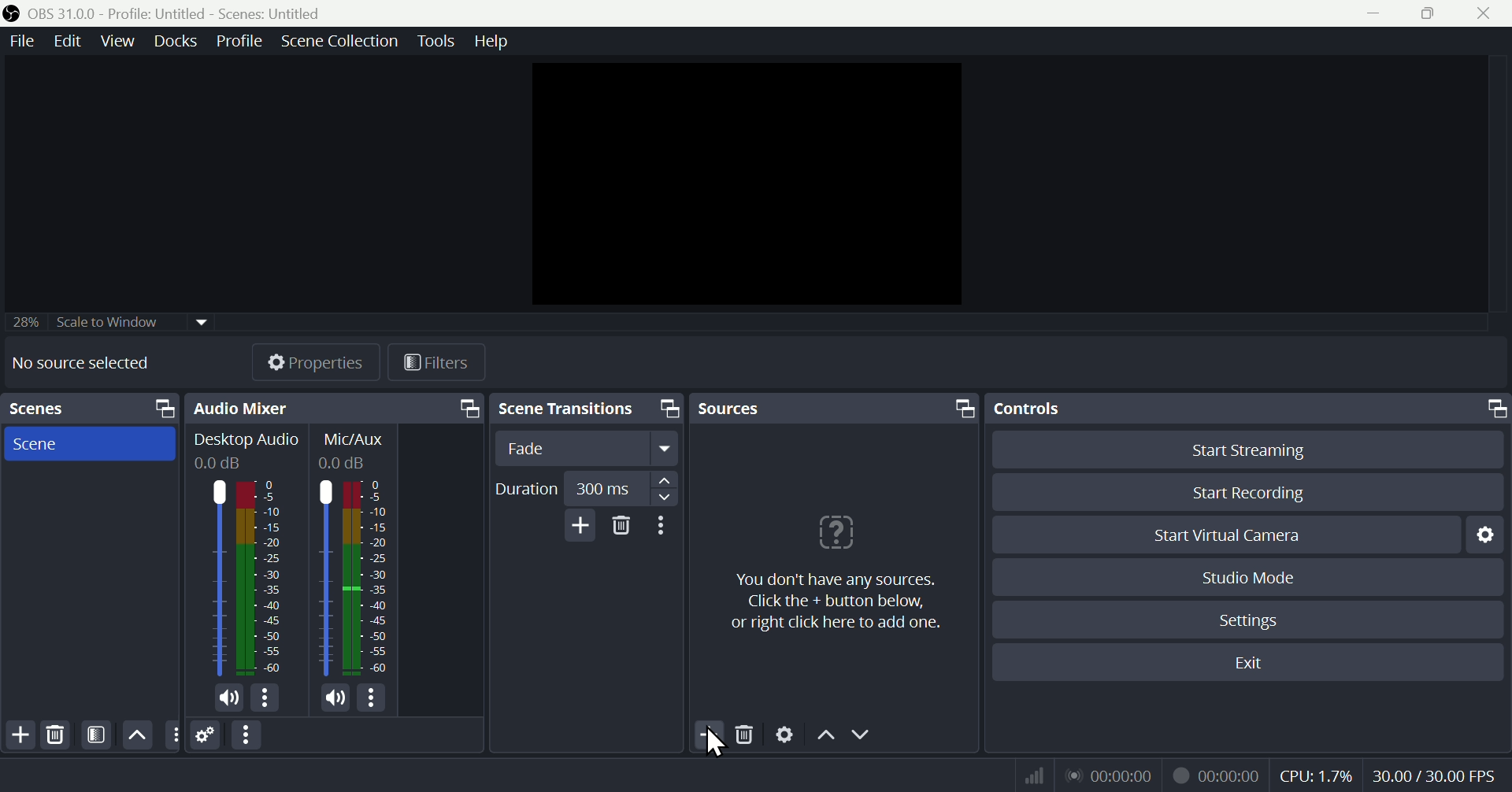  Describe the element at coordinates (1217, 775) in the screenshot. I see `Recording Status` at that location.